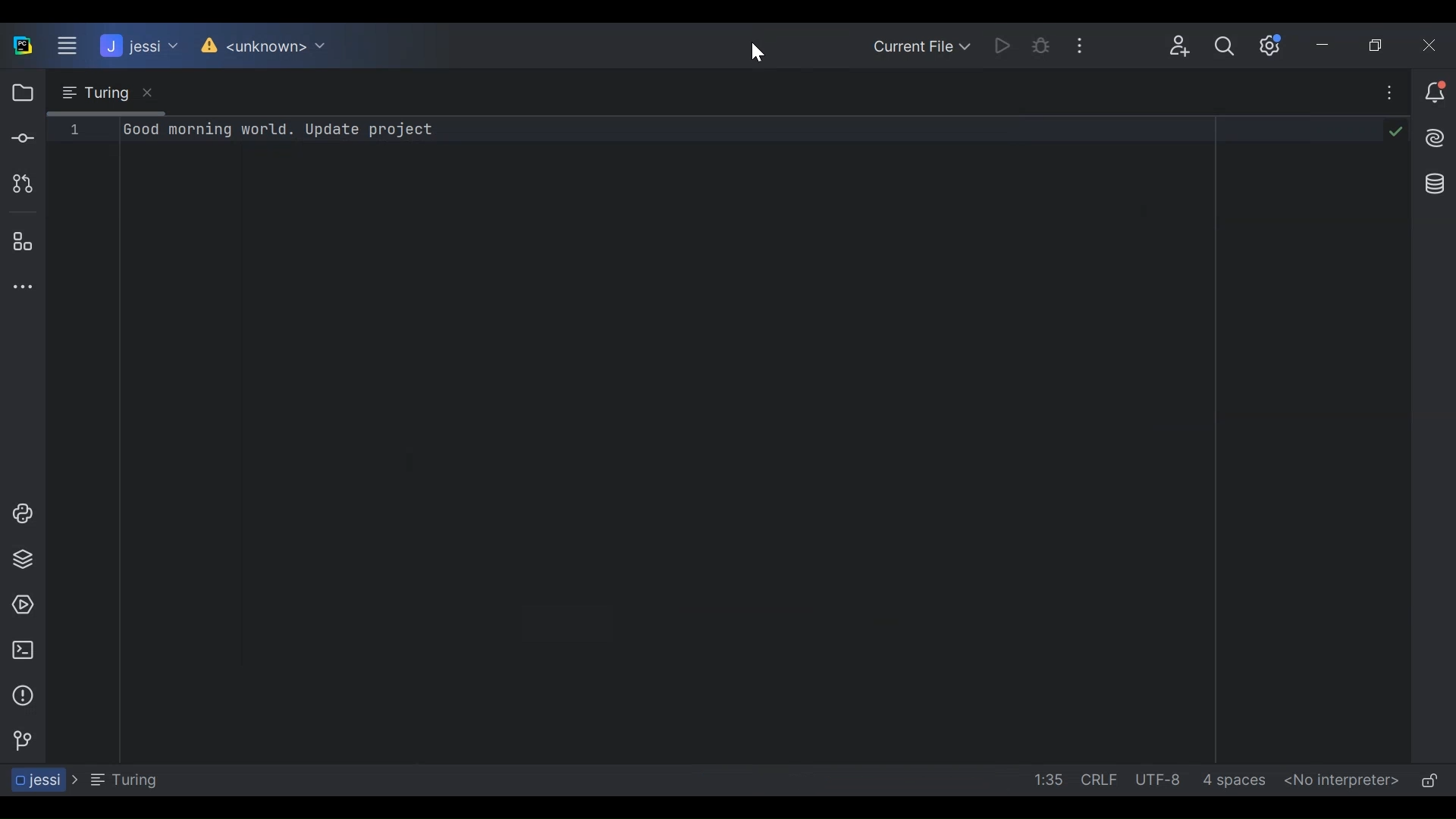  What do you see at coordinates (23, 651) in the screenshot?
I see `Terminal ` at bounding box center [23, 651].